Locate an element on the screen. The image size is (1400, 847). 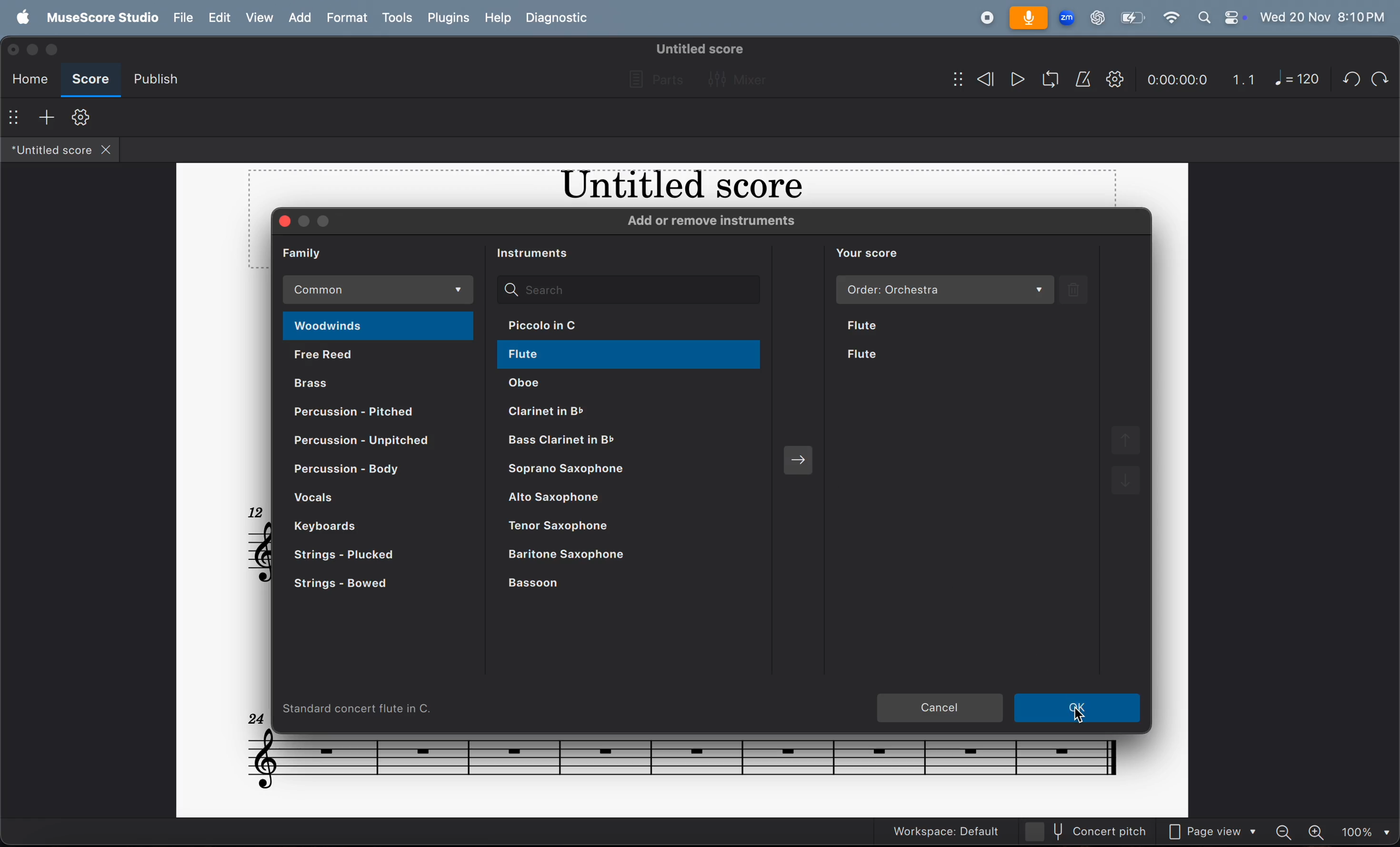
add or remove instruments is located at coordinates (721, 222).